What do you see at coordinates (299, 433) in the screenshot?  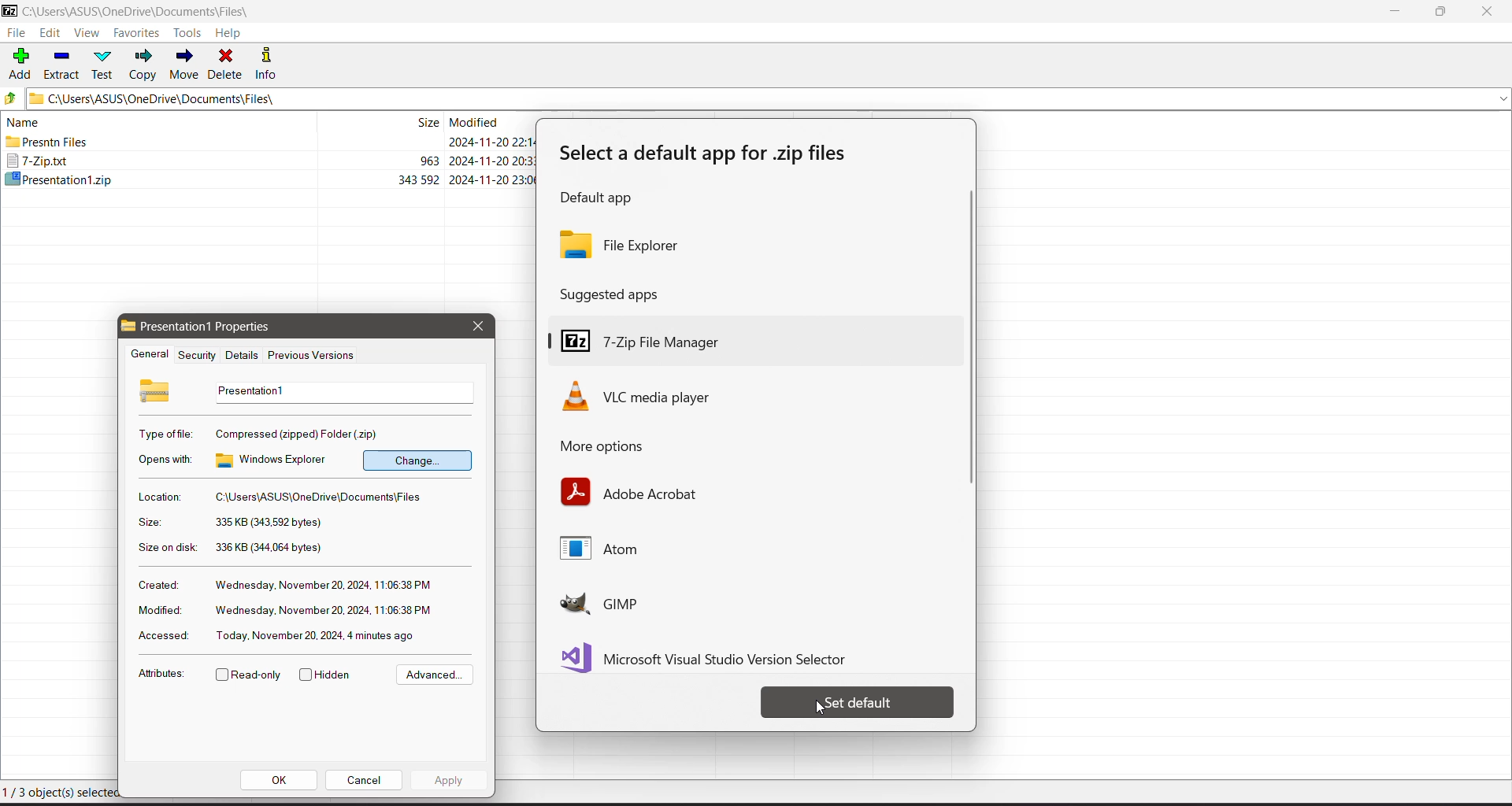 I see `Selected file type` at bounding box center [299, 433].